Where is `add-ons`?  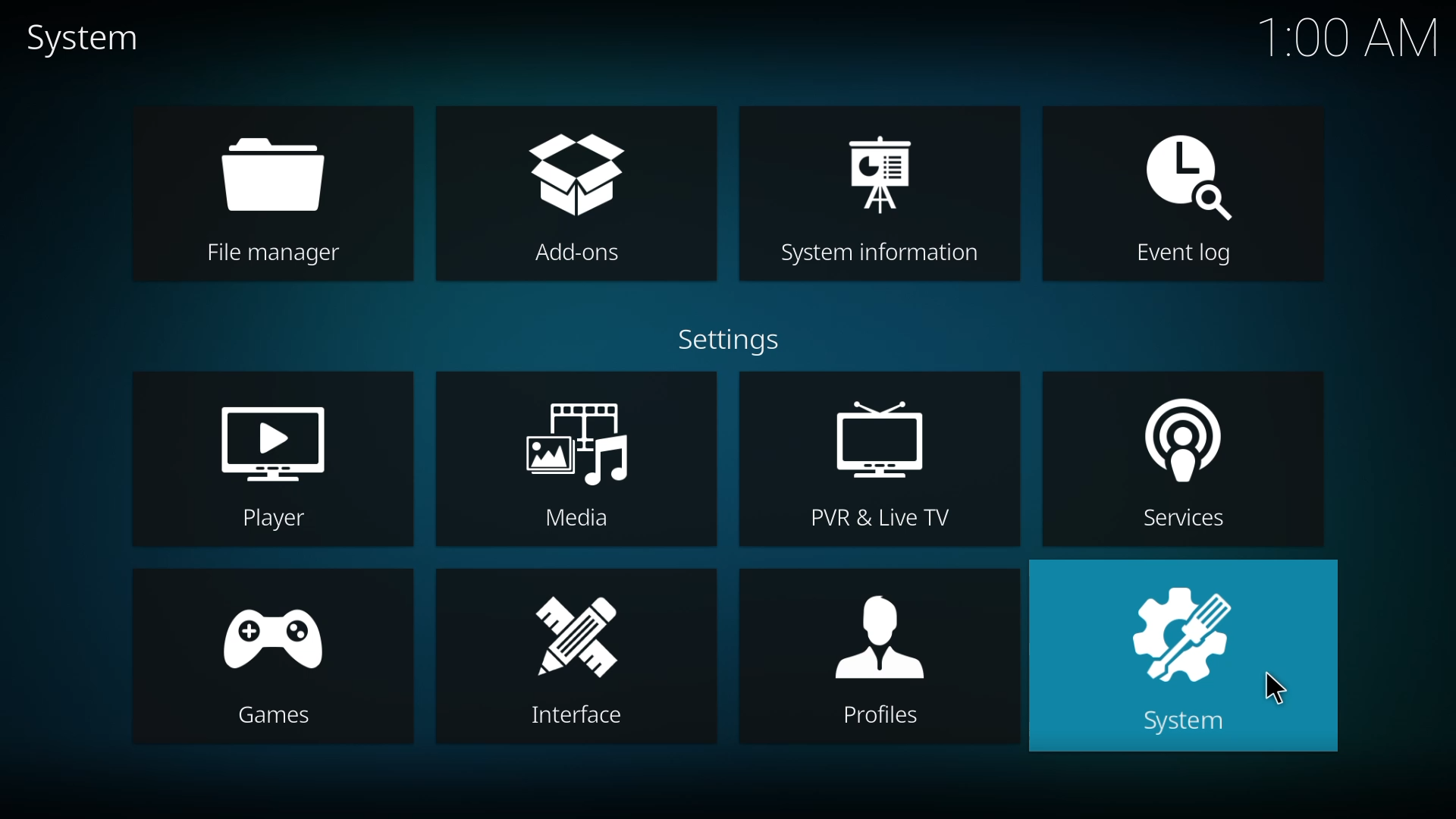
add-ons is located at coordinates (579, 200).